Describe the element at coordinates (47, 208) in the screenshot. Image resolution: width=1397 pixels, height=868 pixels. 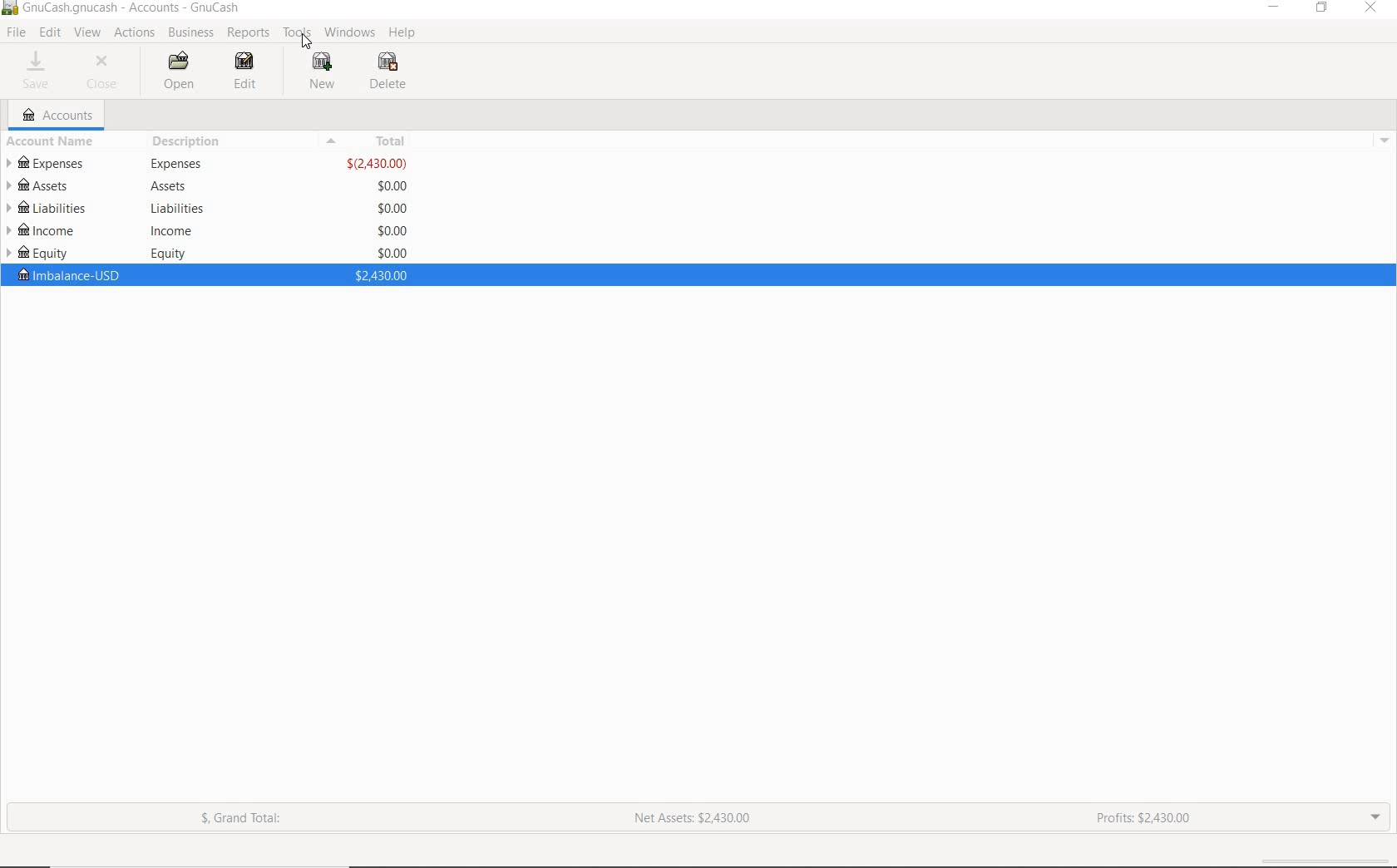
I see `LIABILITIES` at that location.